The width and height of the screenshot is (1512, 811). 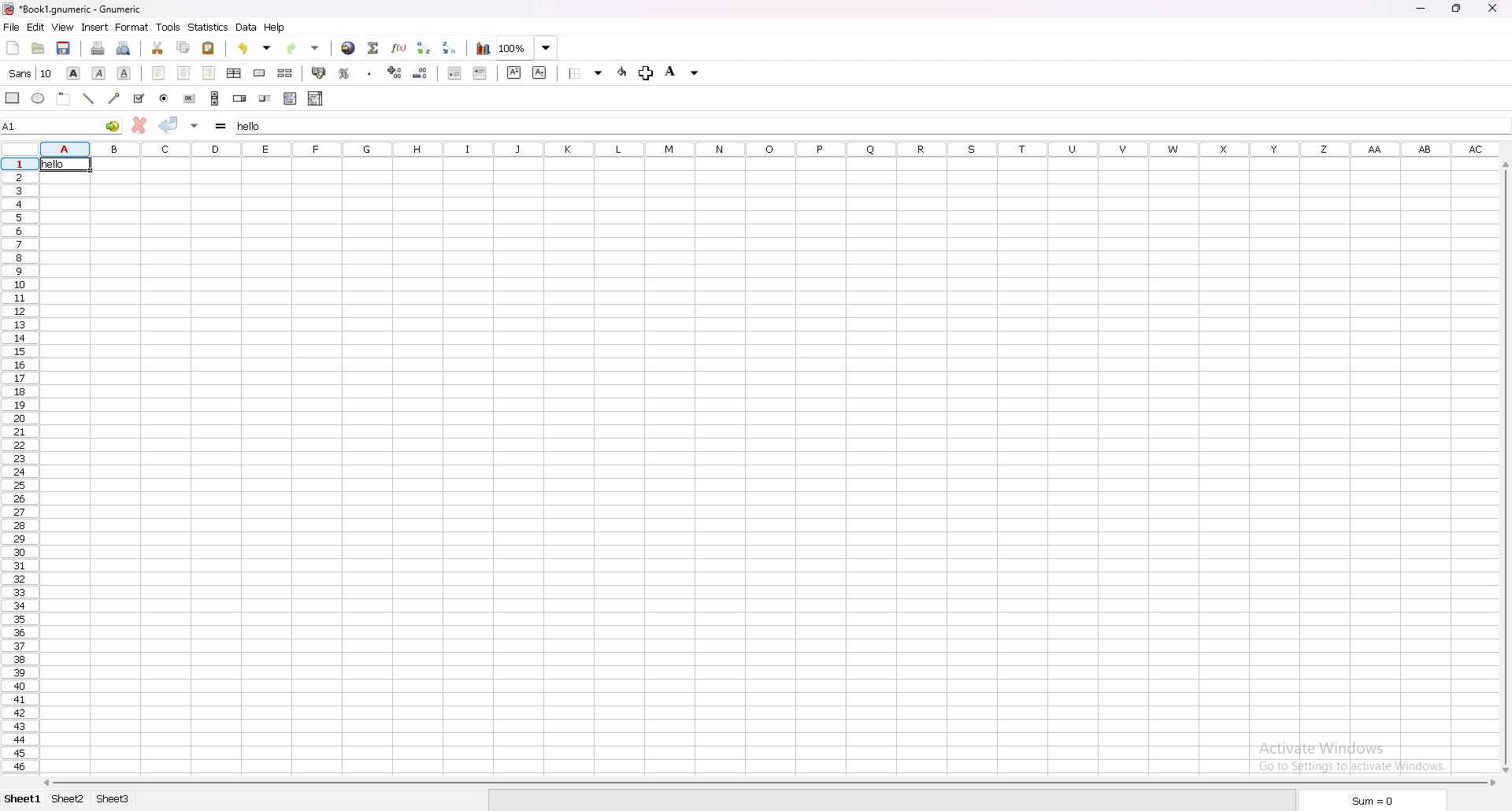 What do you see at coordinates (195, 124) in the screenshot?
I see `accept changes in multiple cells` at bounding box center [195, 124].